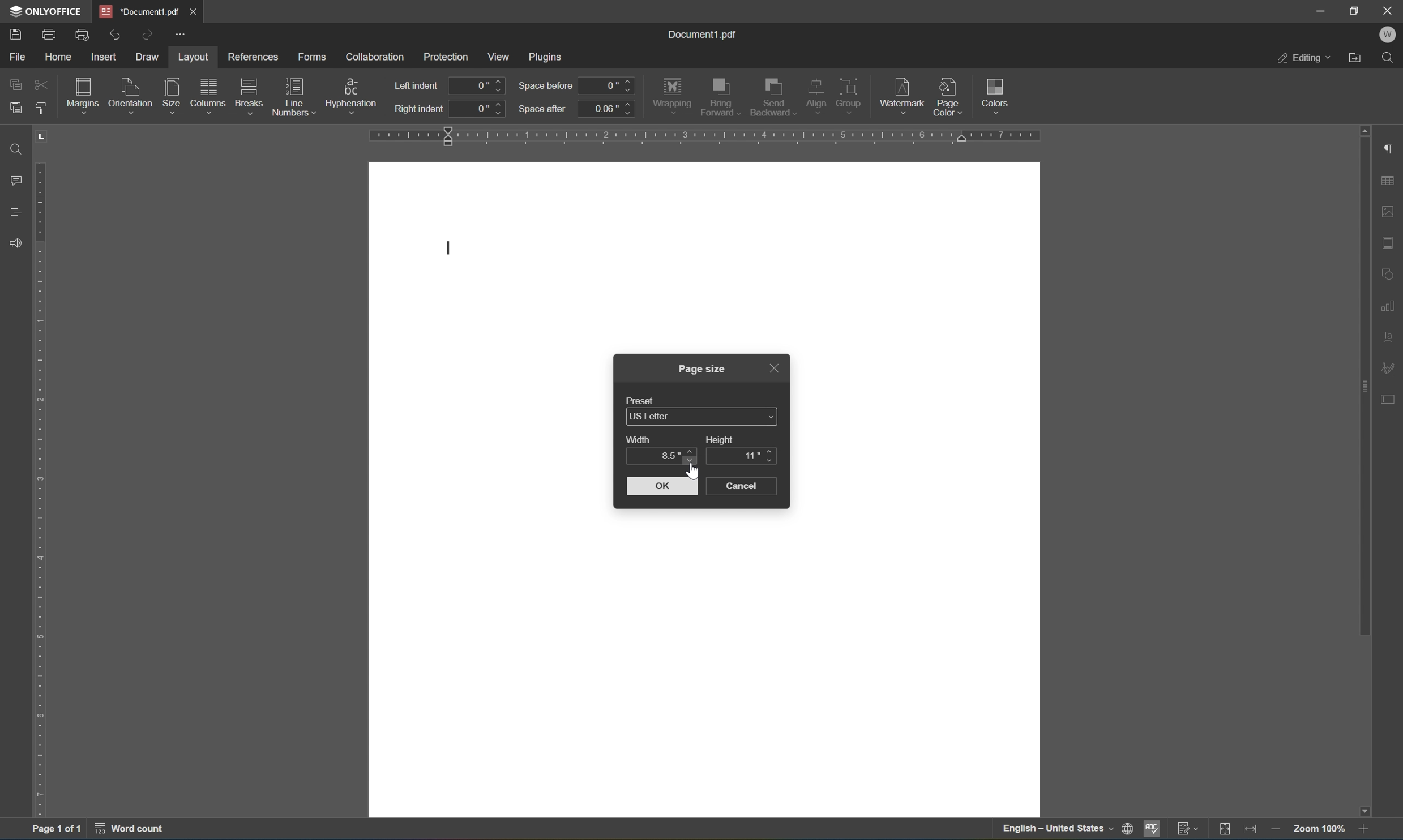 Image resolution: width=1403 pixels, height=840 pixels. What do you see at coordinates (418, 110) in the screenshot?
I see `right indent` at bounding box center [418, 110].